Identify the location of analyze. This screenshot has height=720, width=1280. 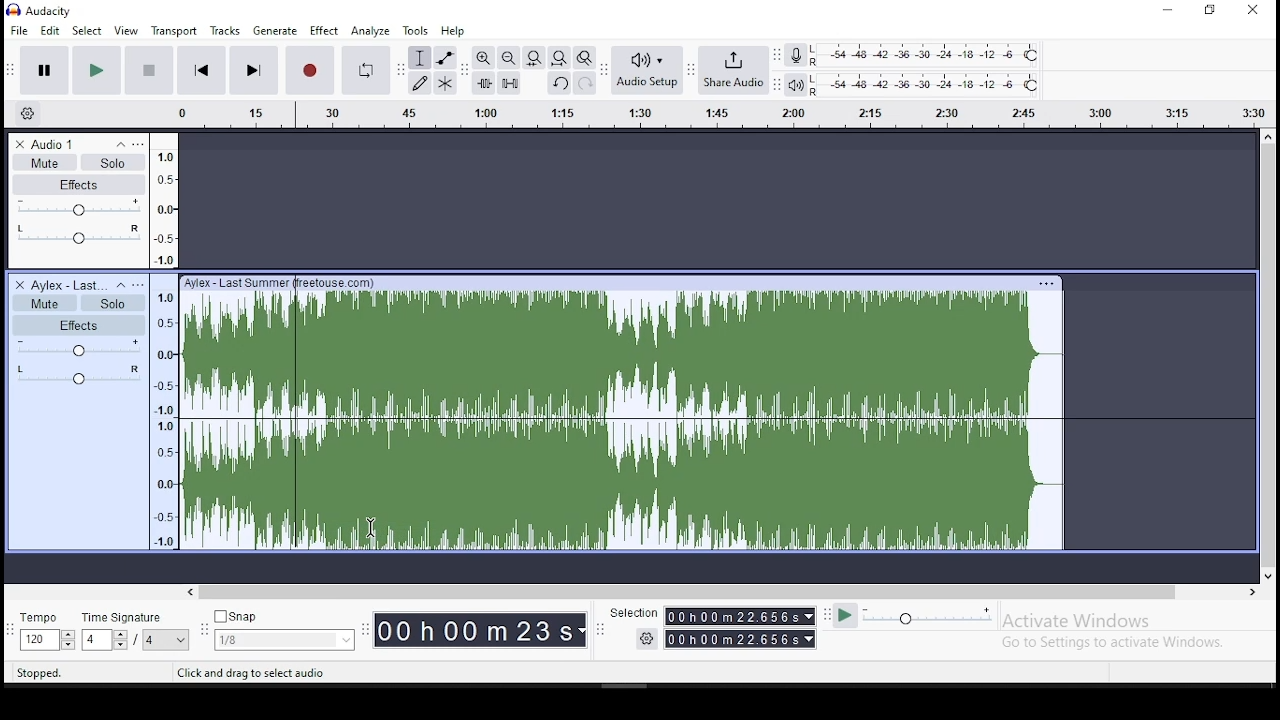
(371, 31).